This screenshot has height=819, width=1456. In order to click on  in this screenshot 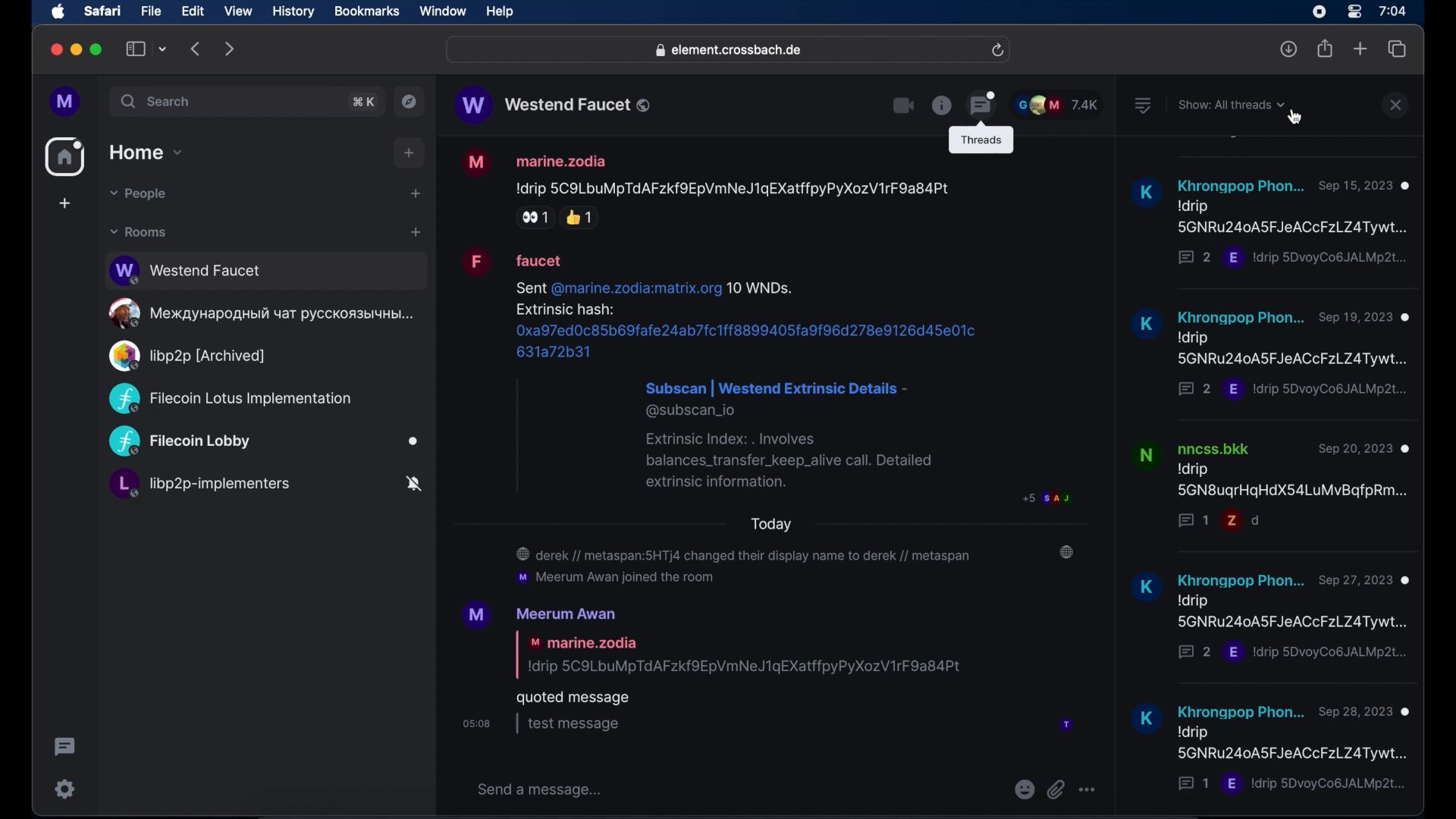, I will do `click(413, 442)`.